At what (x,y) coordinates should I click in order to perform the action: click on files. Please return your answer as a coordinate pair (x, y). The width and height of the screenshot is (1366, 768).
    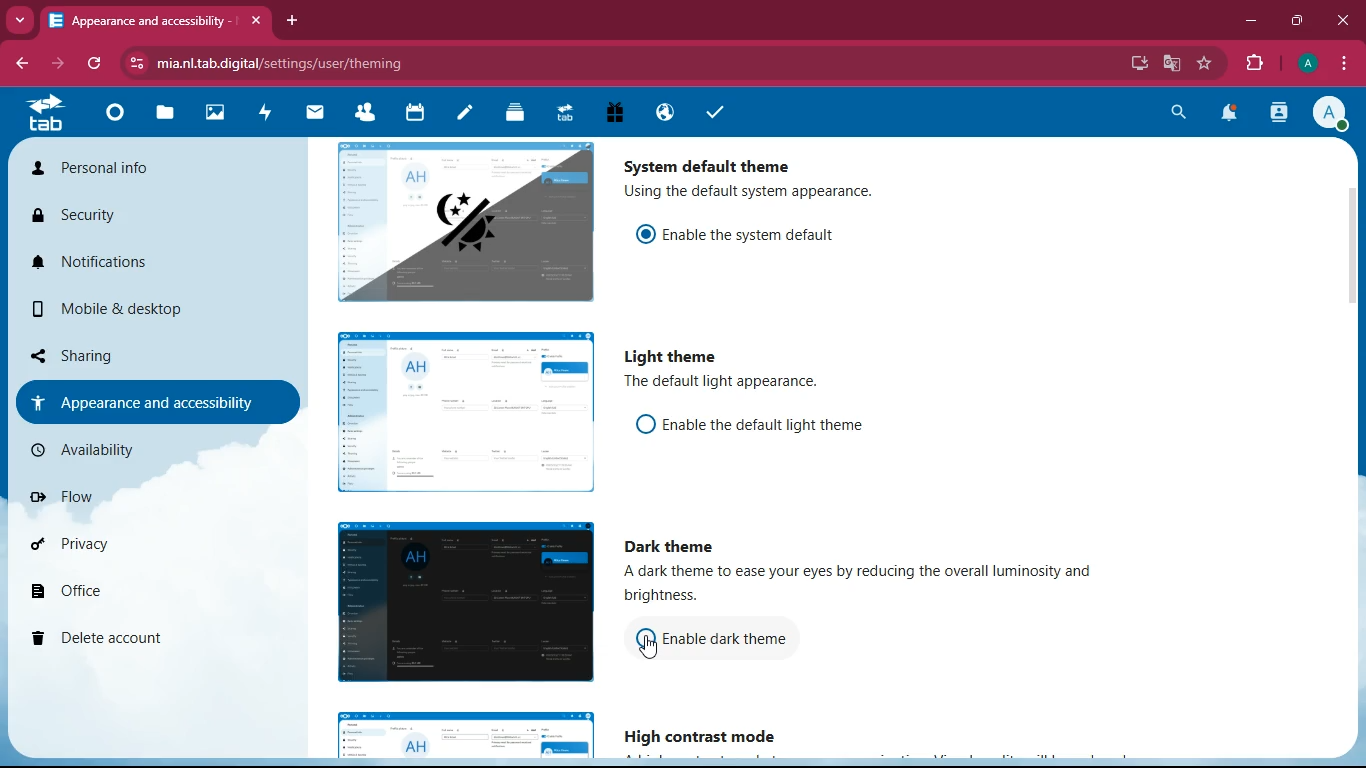
    Looking at the image, I should click on (167, 116).